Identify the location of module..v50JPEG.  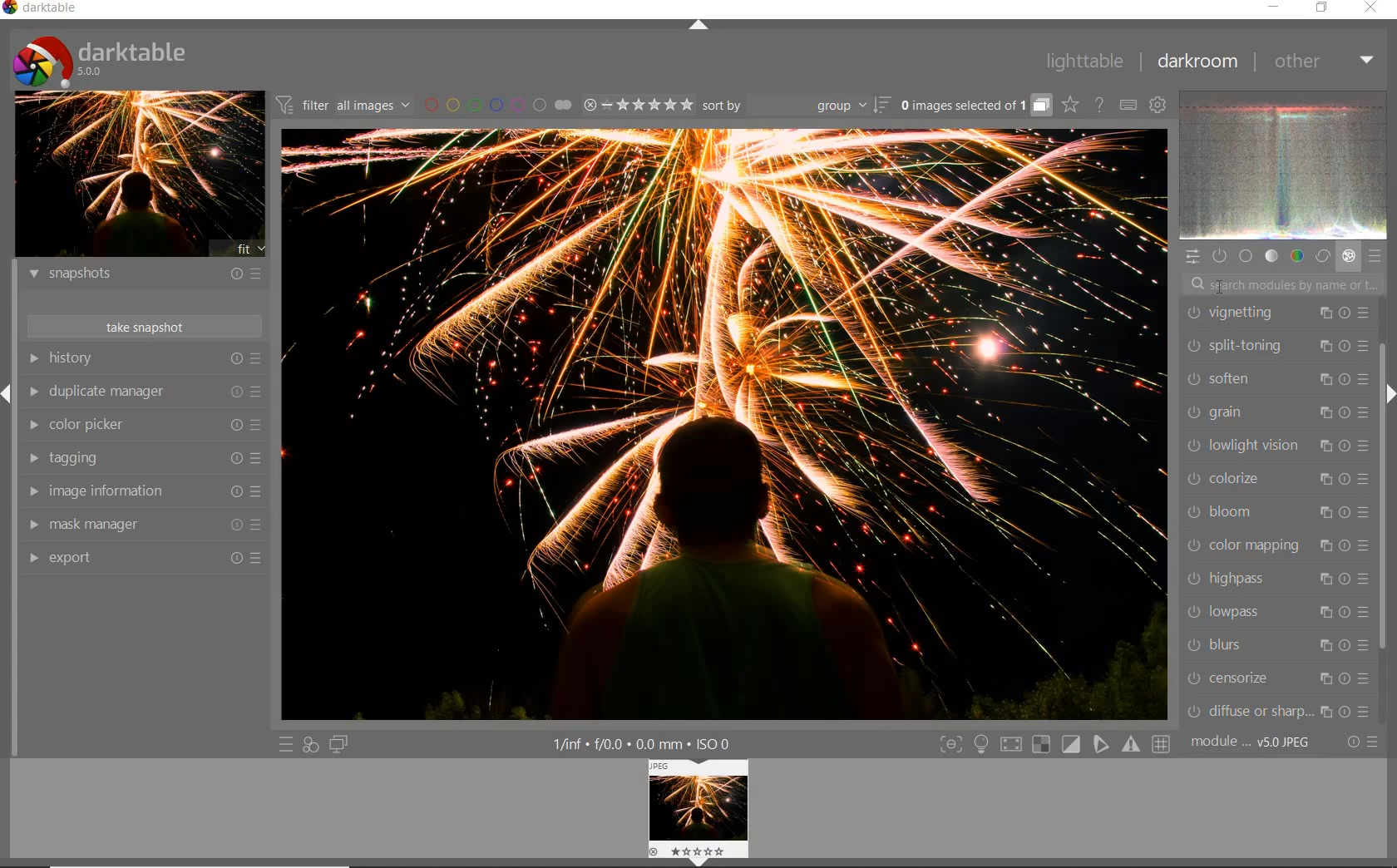
(1249, 742).